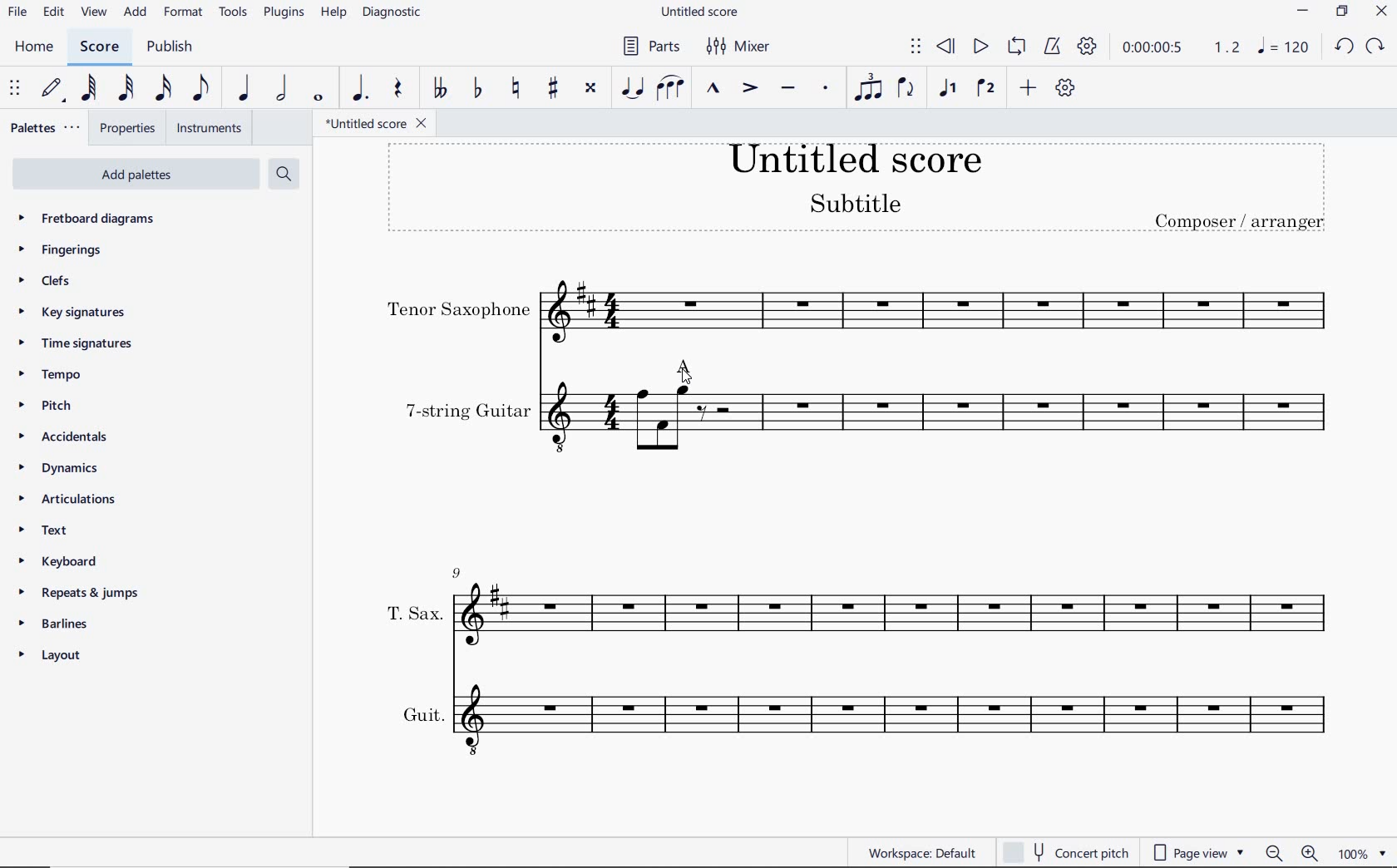  I want to click on ZOOM OUT OR ZOOM IN, so click(1290, 852).